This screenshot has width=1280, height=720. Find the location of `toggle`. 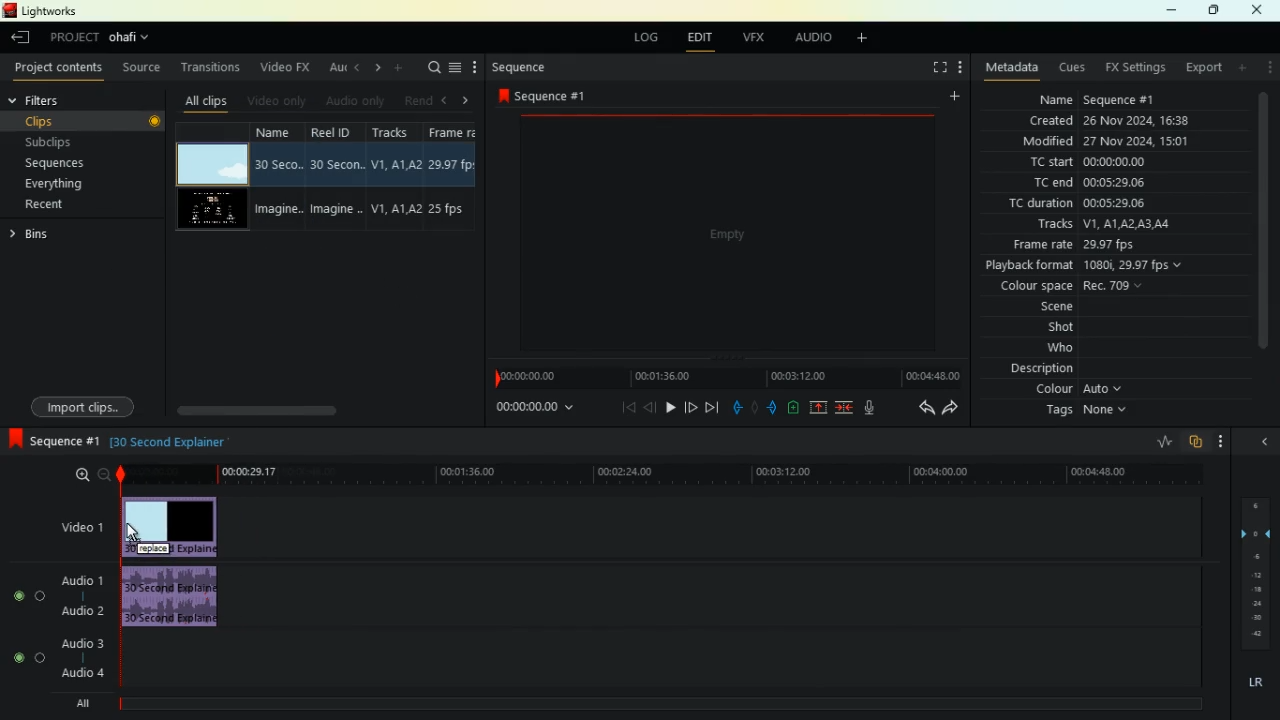

toggle is located at coordinates (19, 596).